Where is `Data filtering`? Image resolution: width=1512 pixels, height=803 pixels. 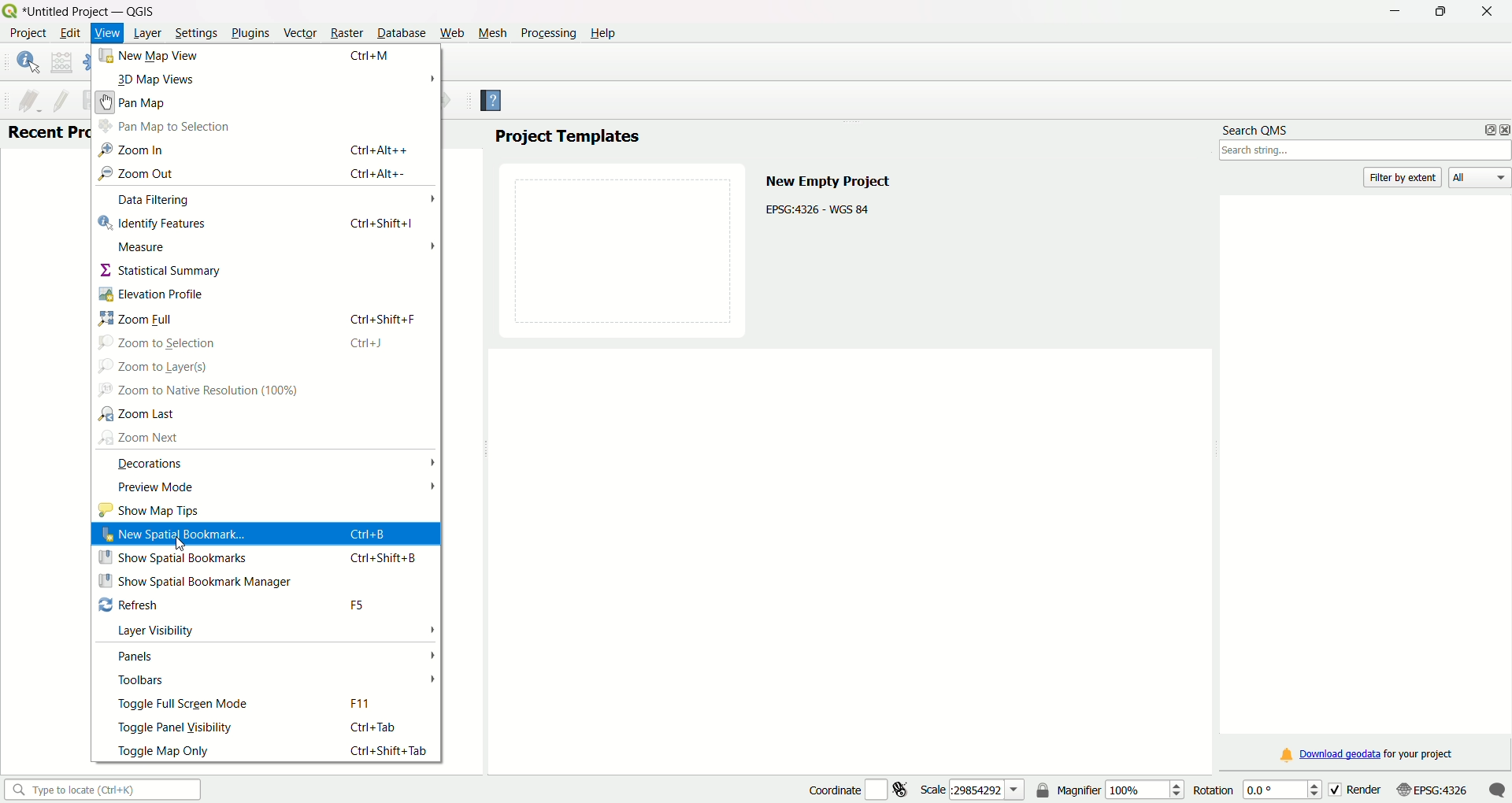 Data filtering is located at coordinates (151, 198).